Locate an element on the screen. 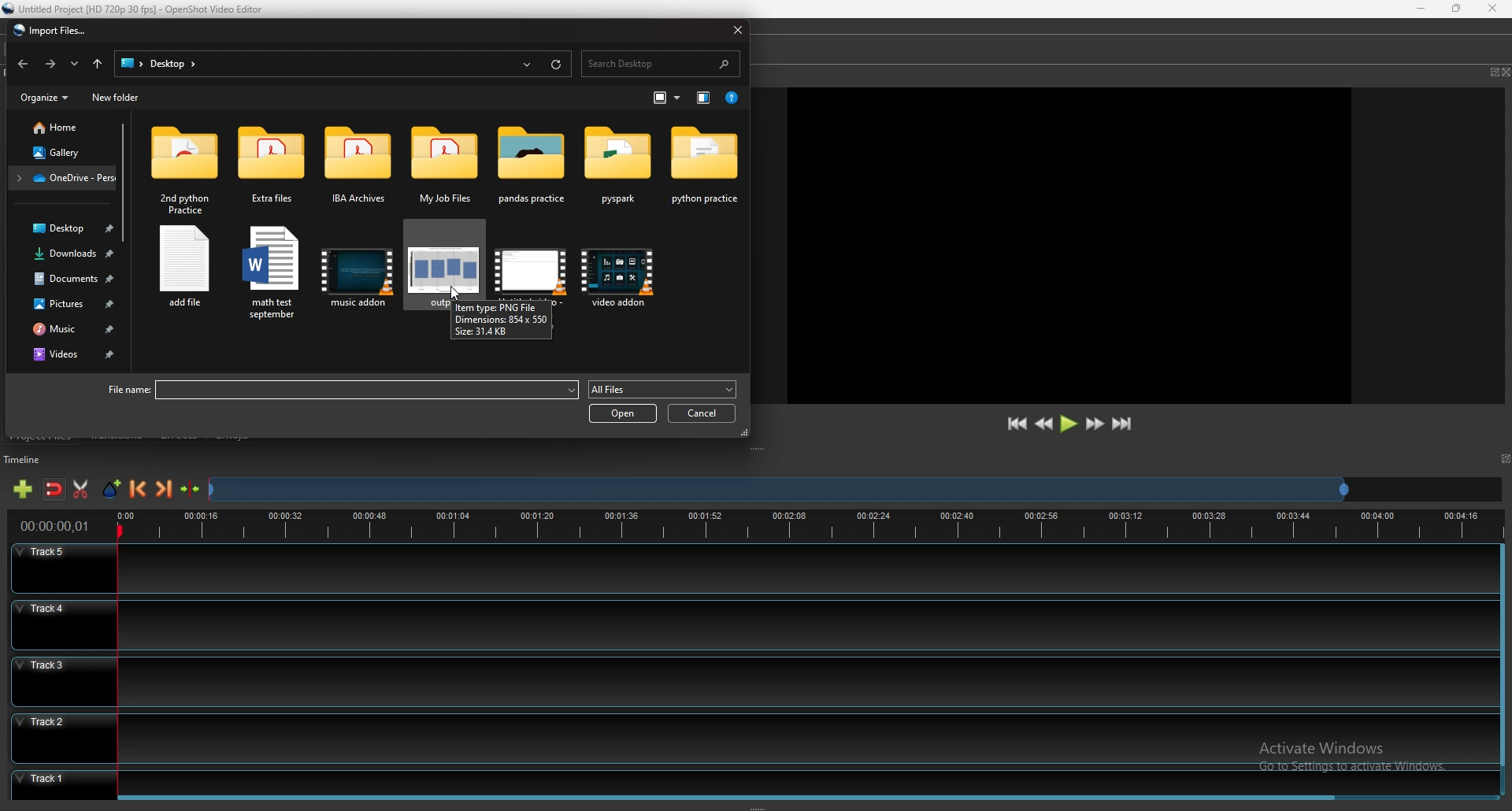 This screenshot has width=1512, height=811. project files is located at coordinates (42, 435).